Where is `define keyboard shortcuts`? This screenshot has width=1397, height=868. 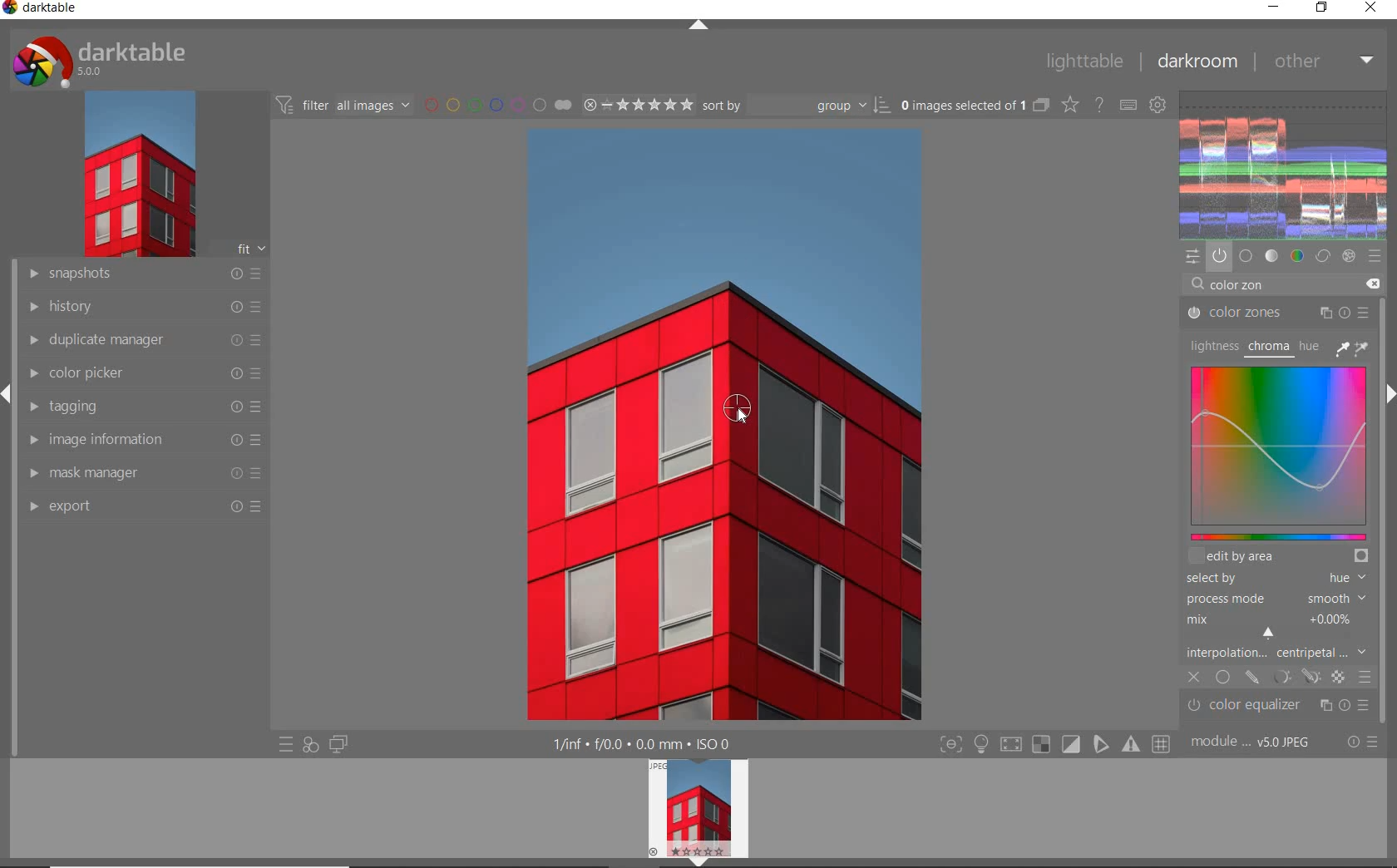 define keyboard shortcuts is located at coordinates (1129, 105).